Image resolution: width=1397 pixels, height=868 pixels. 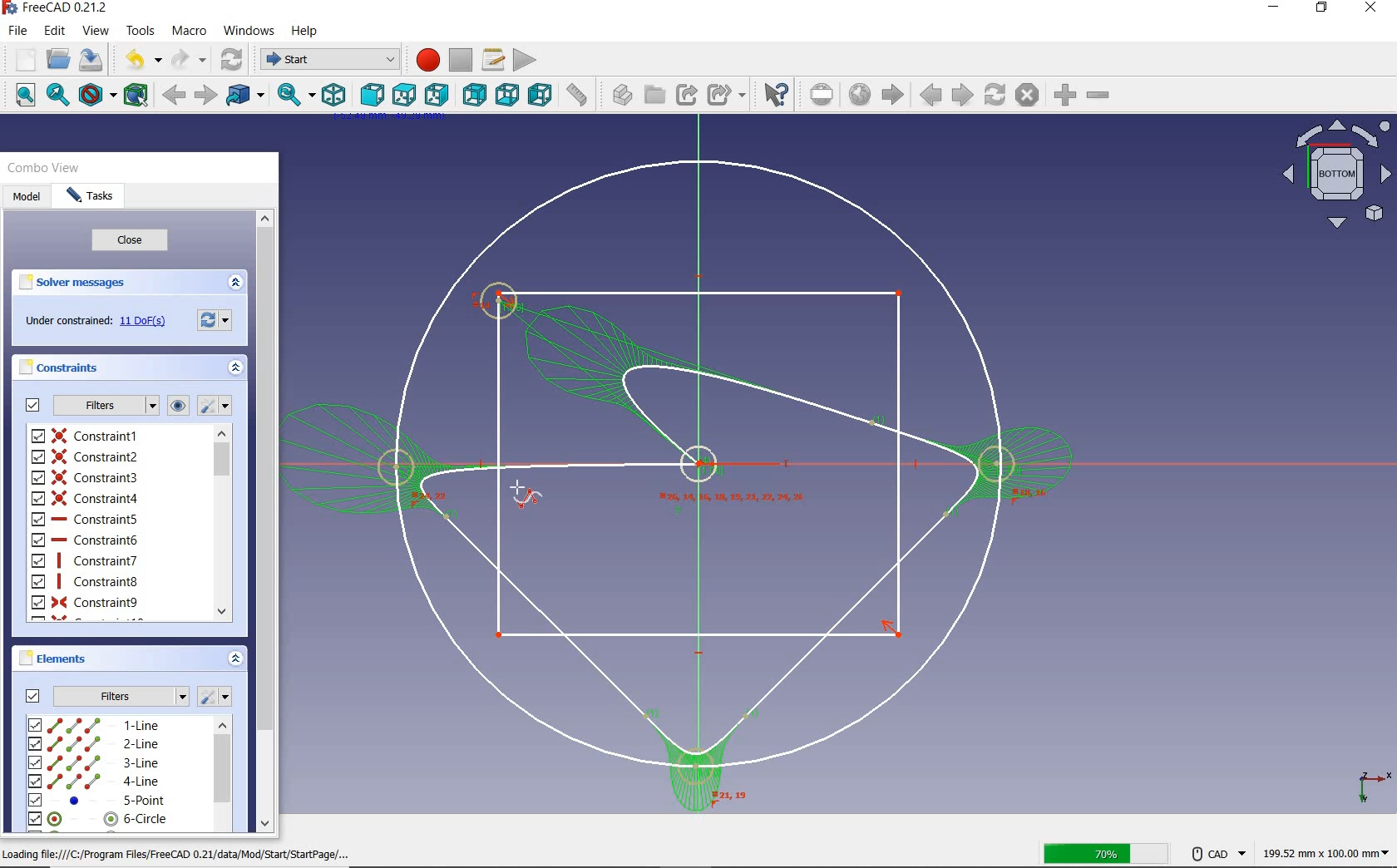 I want to click on back, so click(x=171, y=96).